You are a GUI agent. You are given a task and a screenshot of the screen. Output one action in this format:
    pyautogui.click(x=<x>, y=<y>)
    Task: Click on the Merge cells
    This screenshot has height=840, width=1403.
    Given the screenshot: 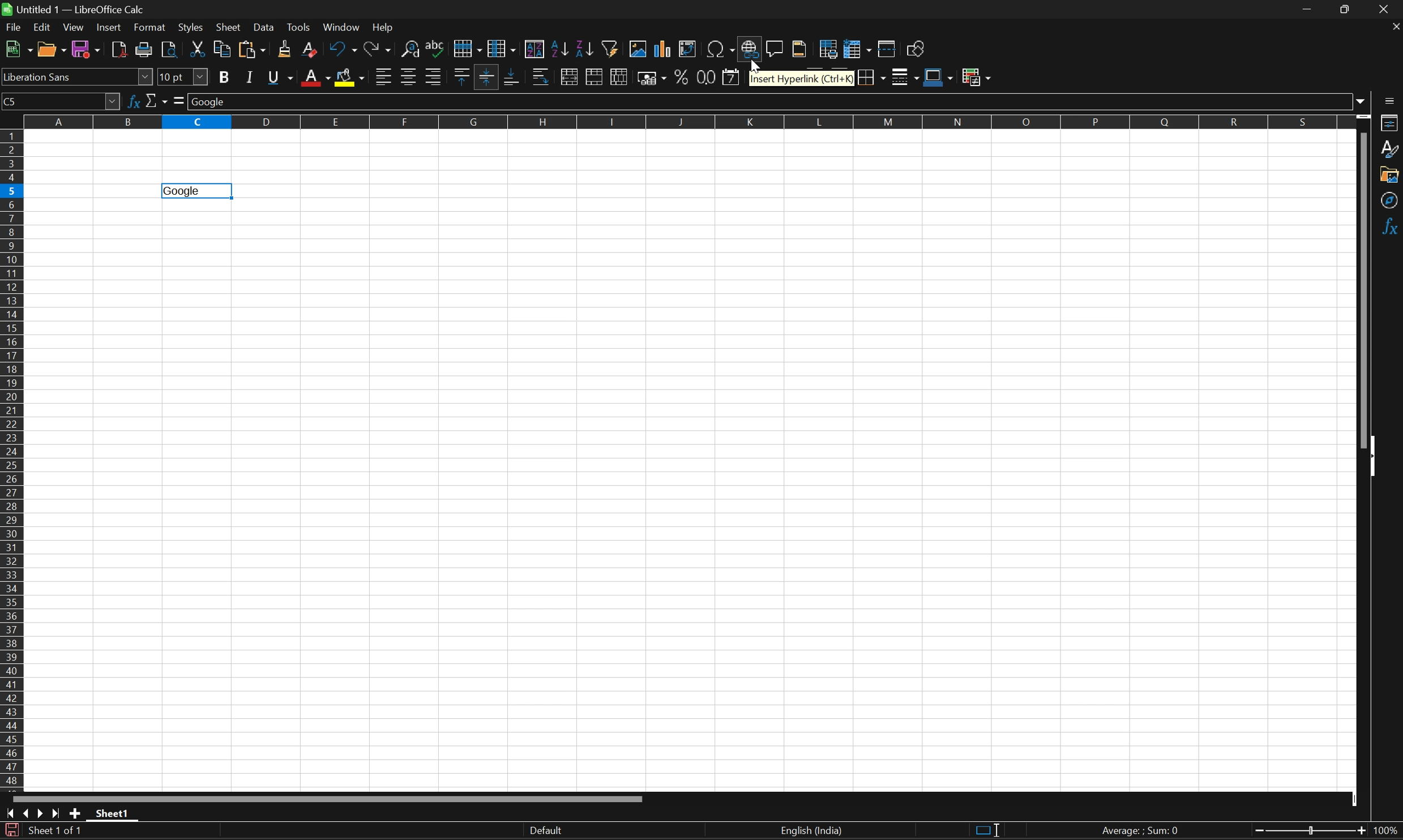 What is the action you would take?
    pyautogui.click(x=596, y=78)
    